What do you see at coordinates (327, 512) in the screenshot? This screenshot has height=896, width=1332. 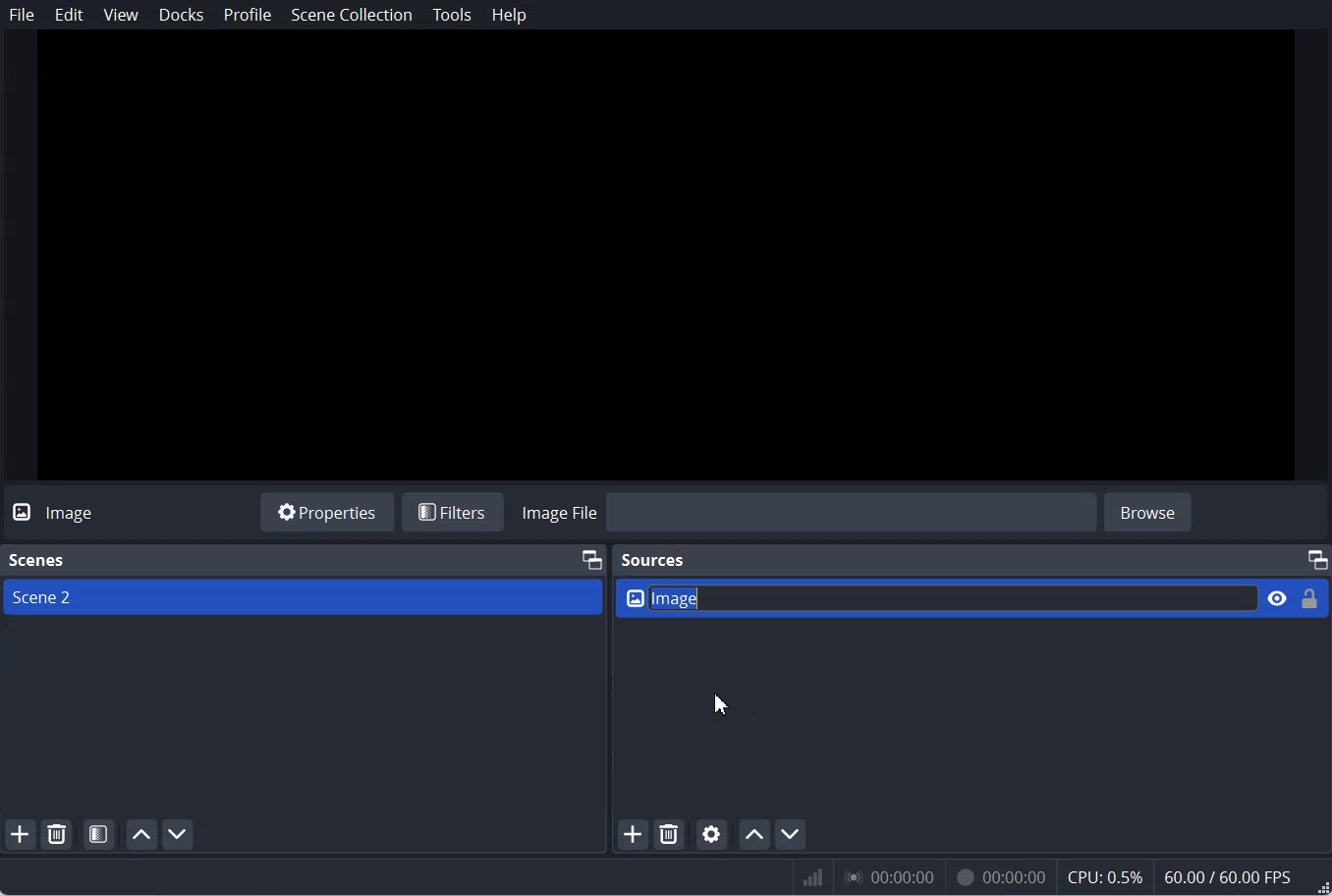 I see `Properties` at bounding box center [327, 512].